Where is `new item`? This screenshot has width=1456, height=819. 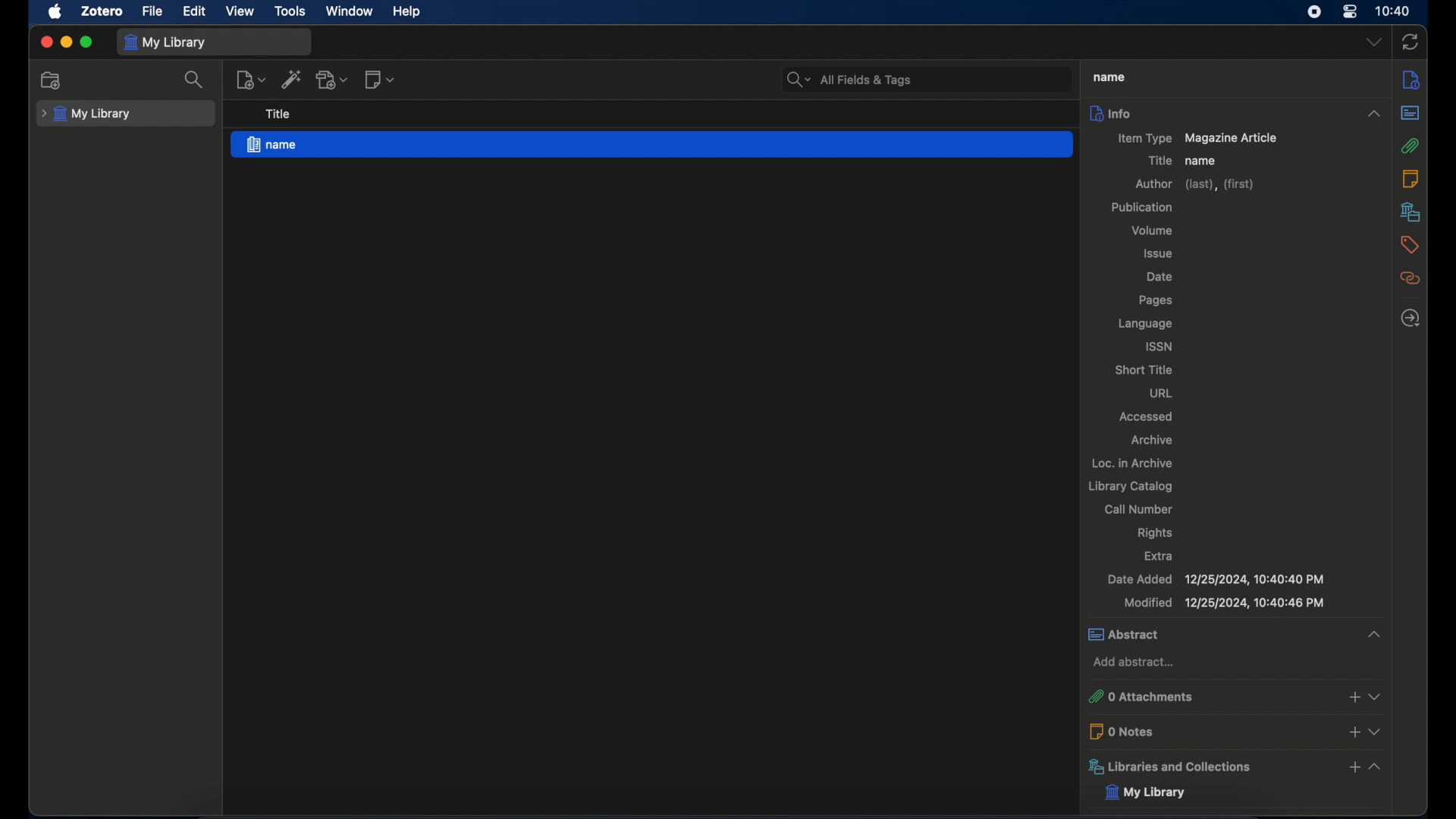
new item is located at coordinates (250, 80).